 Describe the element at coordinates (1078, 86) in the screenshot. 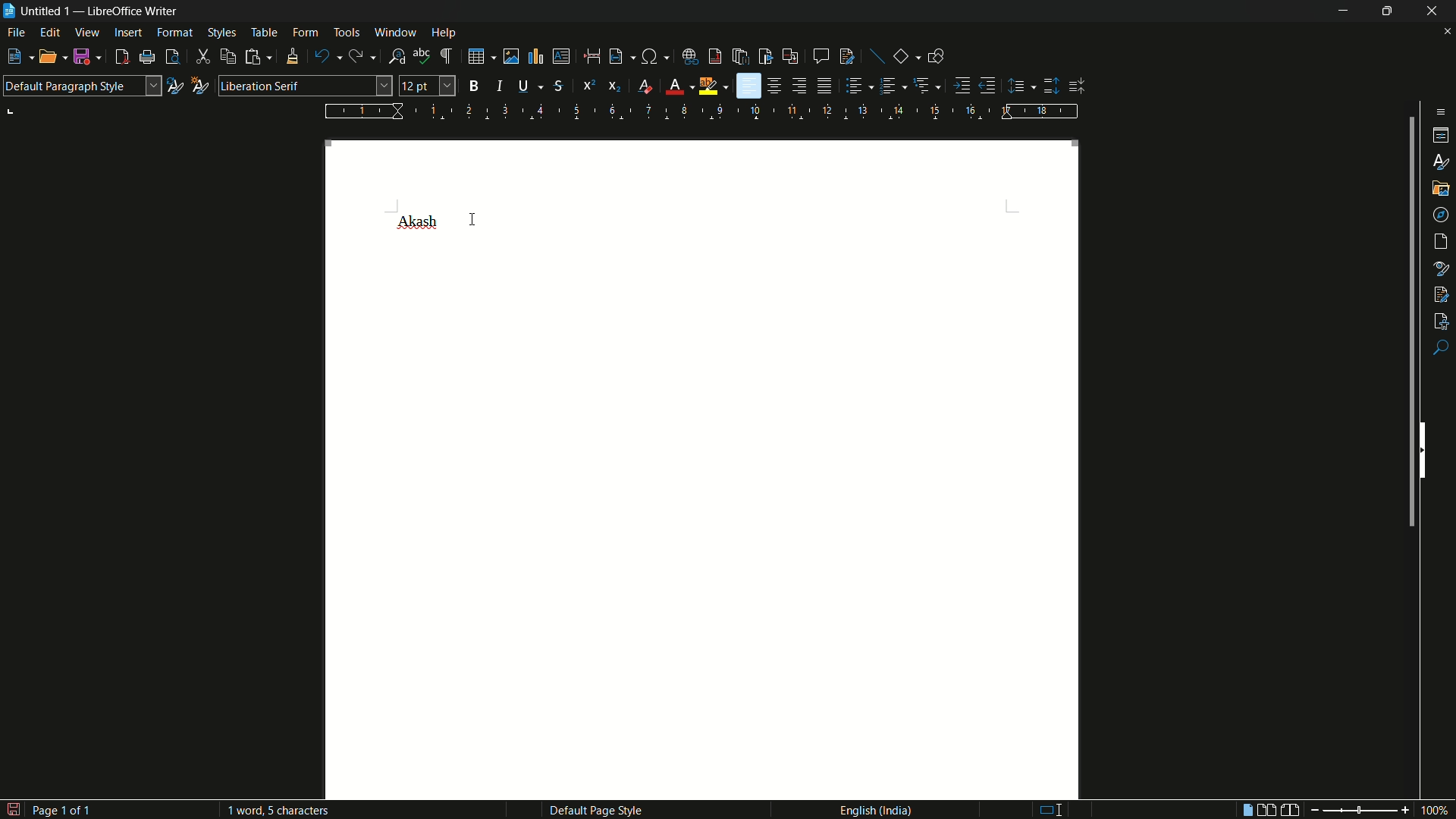

I see `decrease paragraph spacing` at that location.